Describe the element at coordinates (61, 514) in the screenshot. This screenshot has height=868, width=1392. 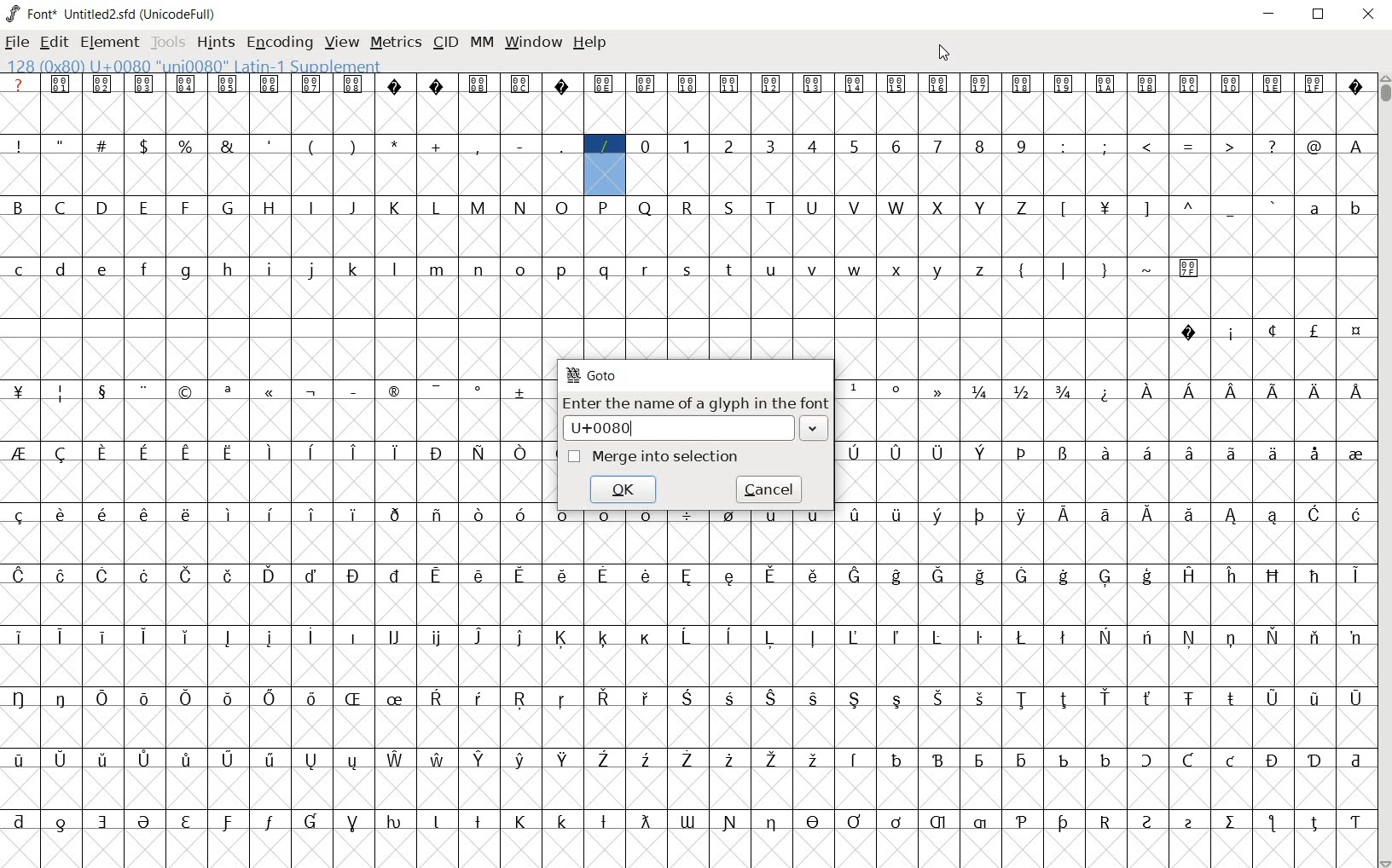
I see `glyph` at that location.